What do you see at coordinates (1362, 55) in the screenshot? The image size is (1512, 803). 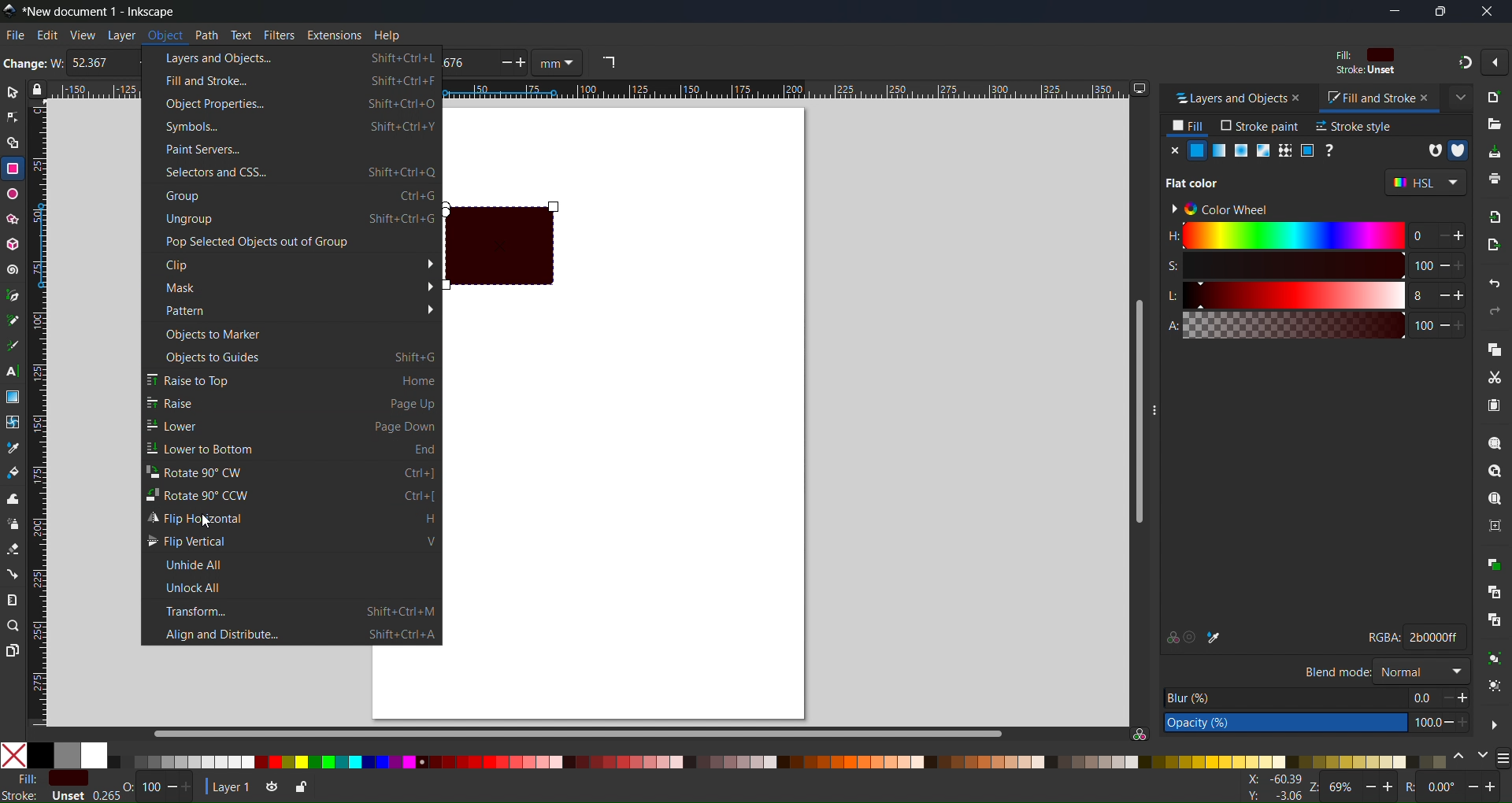 I see `Fill color` at bounding box center [1362, 55].